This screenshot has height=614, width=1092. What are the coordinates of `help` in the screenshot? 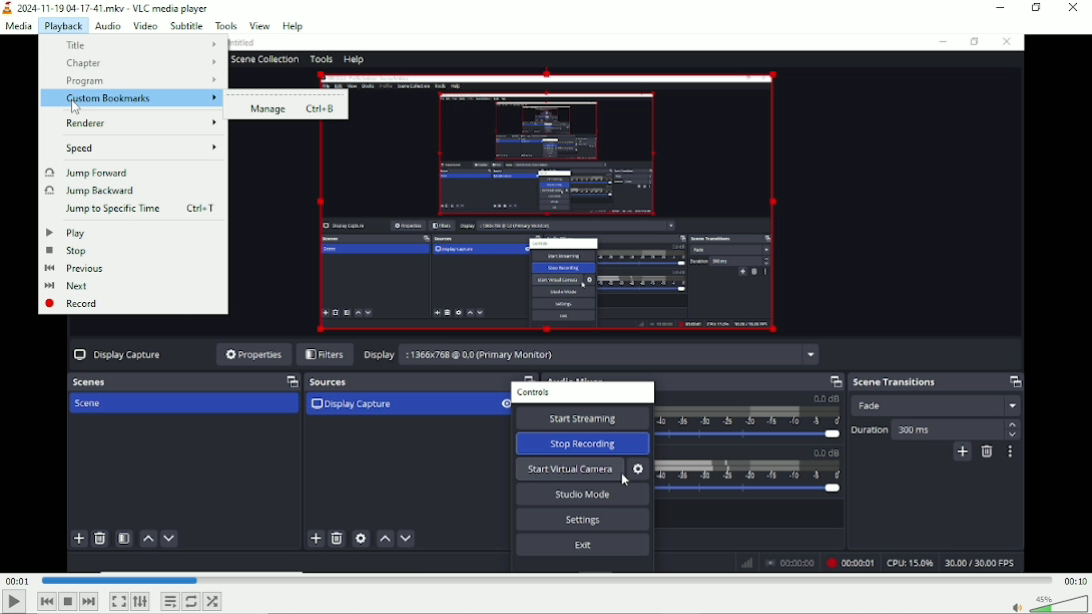 It's located at (295, 25).